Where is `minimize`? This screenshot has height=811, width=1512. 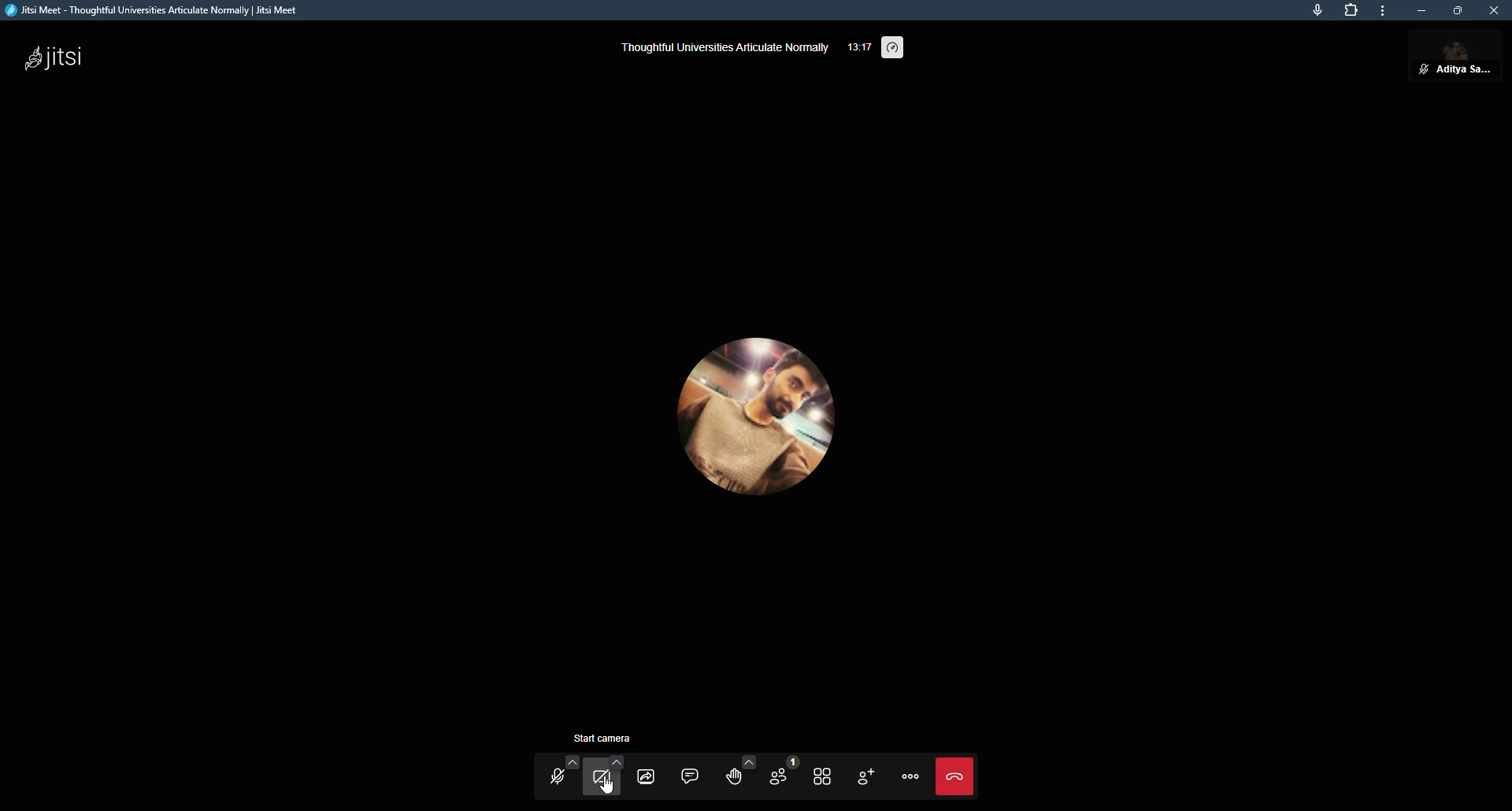
minimize is located at coordinates (1421, 10).